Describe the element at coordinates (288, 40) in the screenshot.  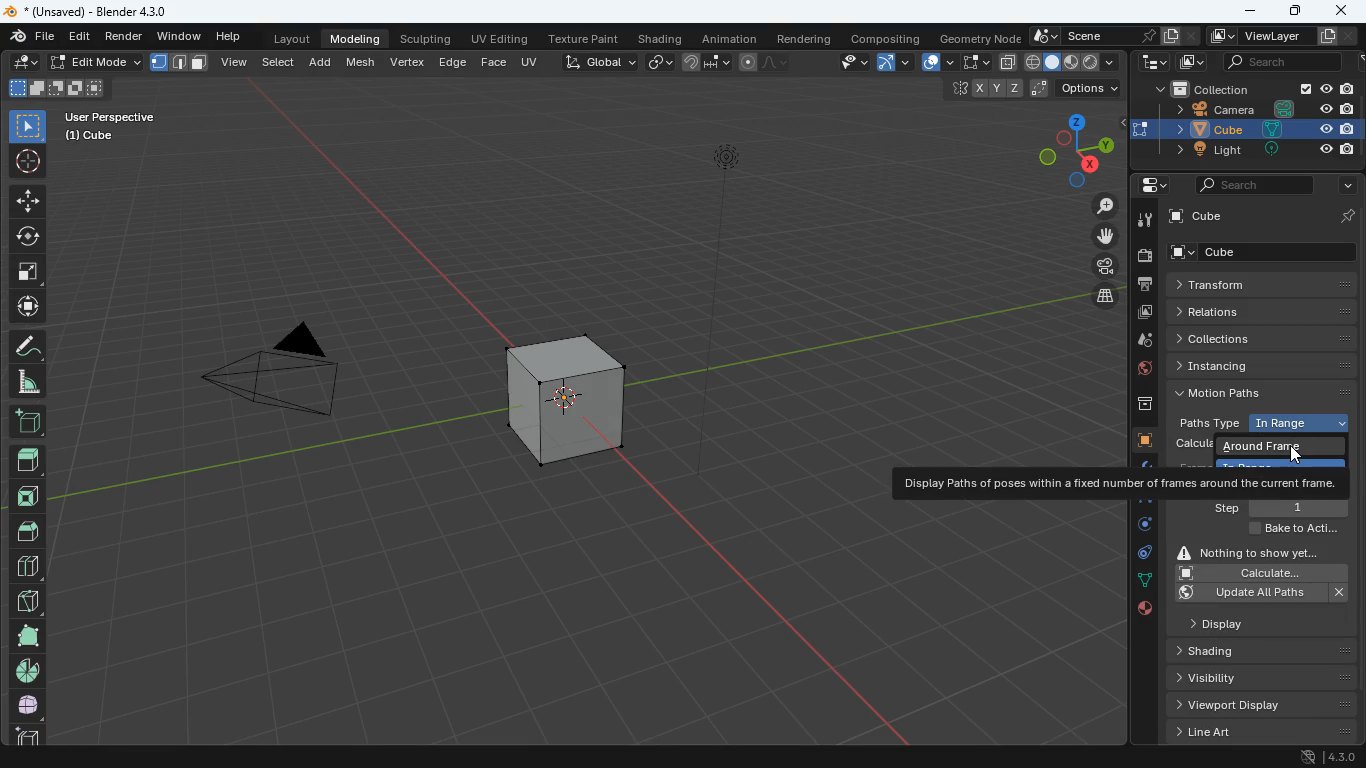
I see `layout` at that location.